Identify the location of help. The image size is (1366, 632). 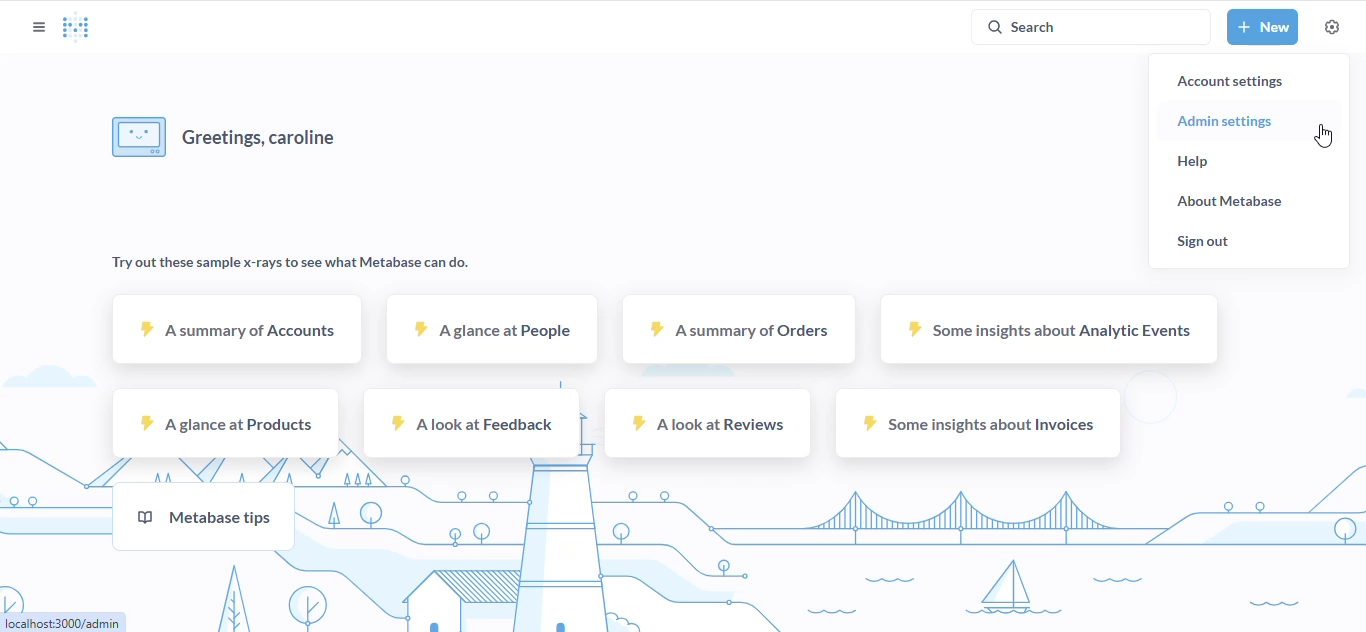
(1194, 162).